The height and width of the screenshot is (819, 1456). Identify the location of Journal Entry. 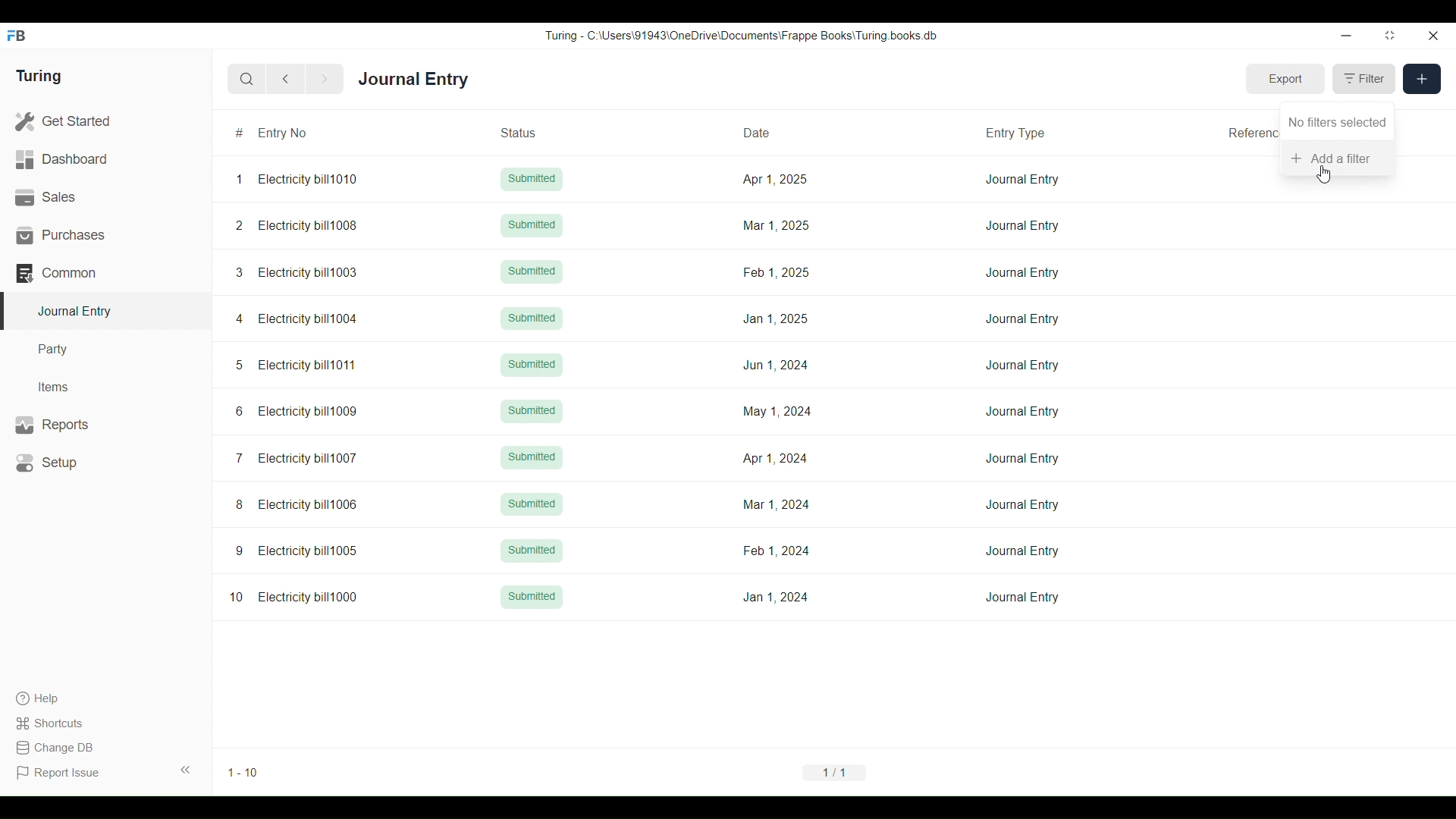
(1022, 504).